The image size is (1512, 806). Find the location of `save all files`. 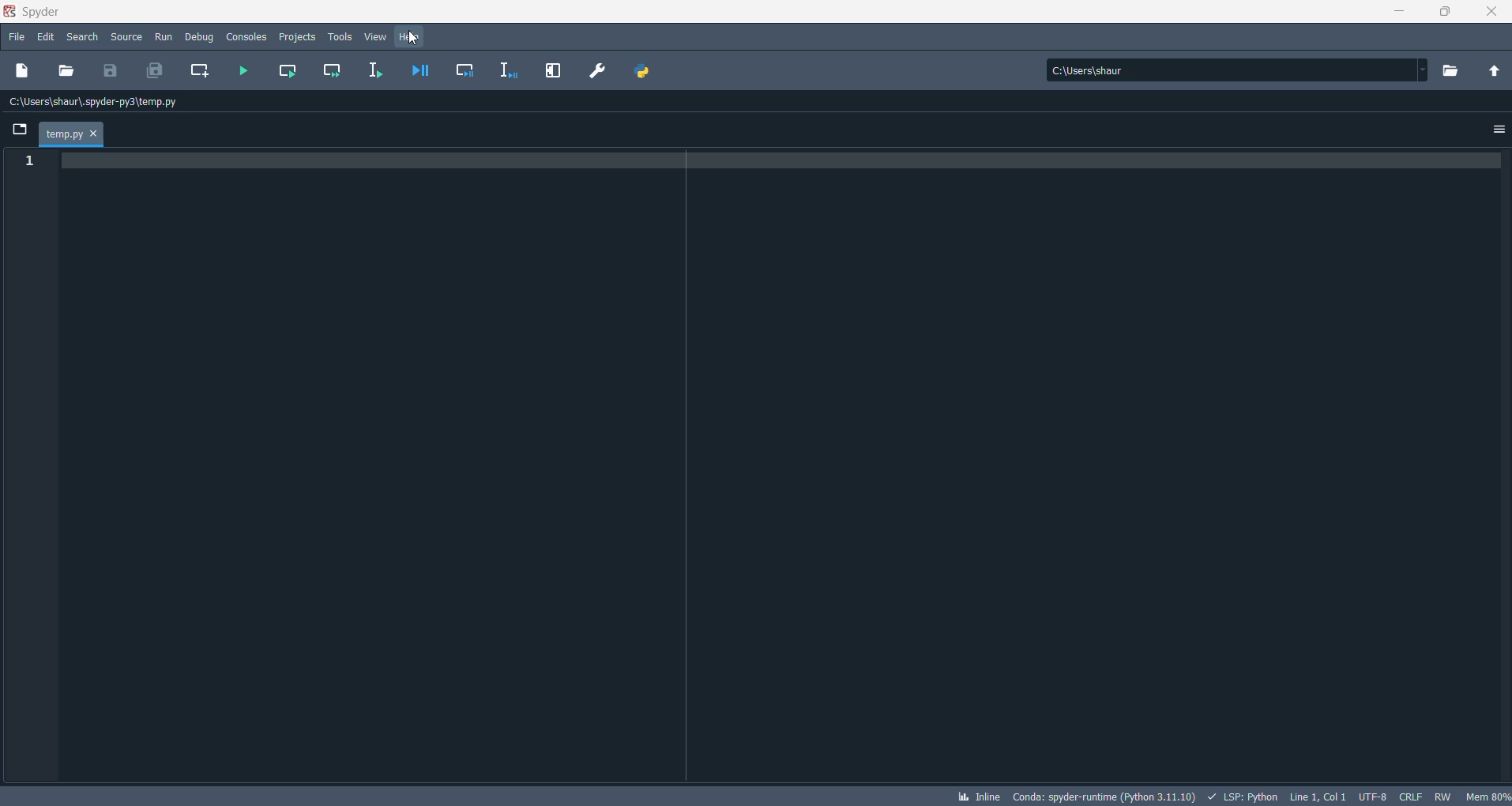

save all files is located at coordinates (156, 71).